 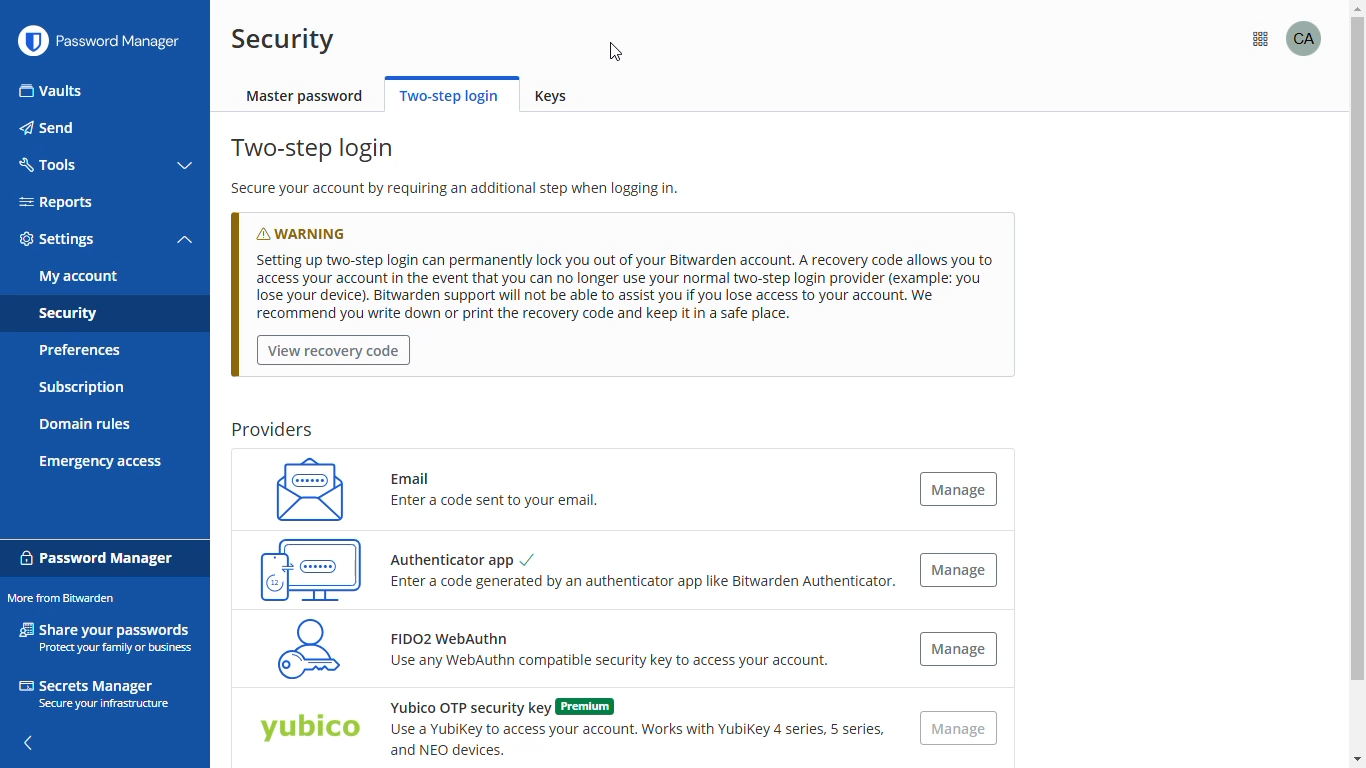 What do you see at coordinates (283, 39) in the screenshot?
I see `security` at bounding box center [283, 39].